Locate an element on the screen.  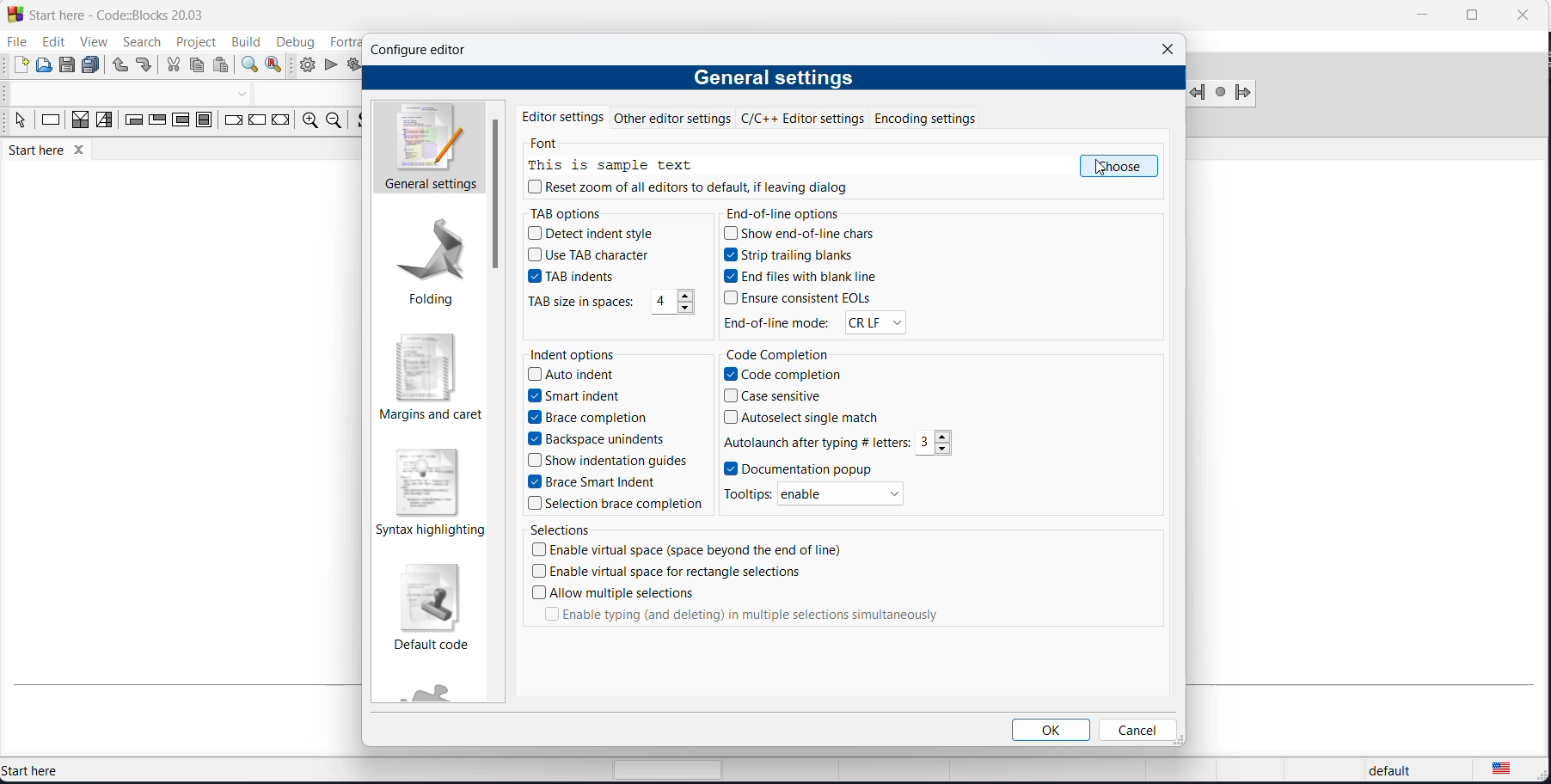
this is sample text  is located at coordinates (616, 166).